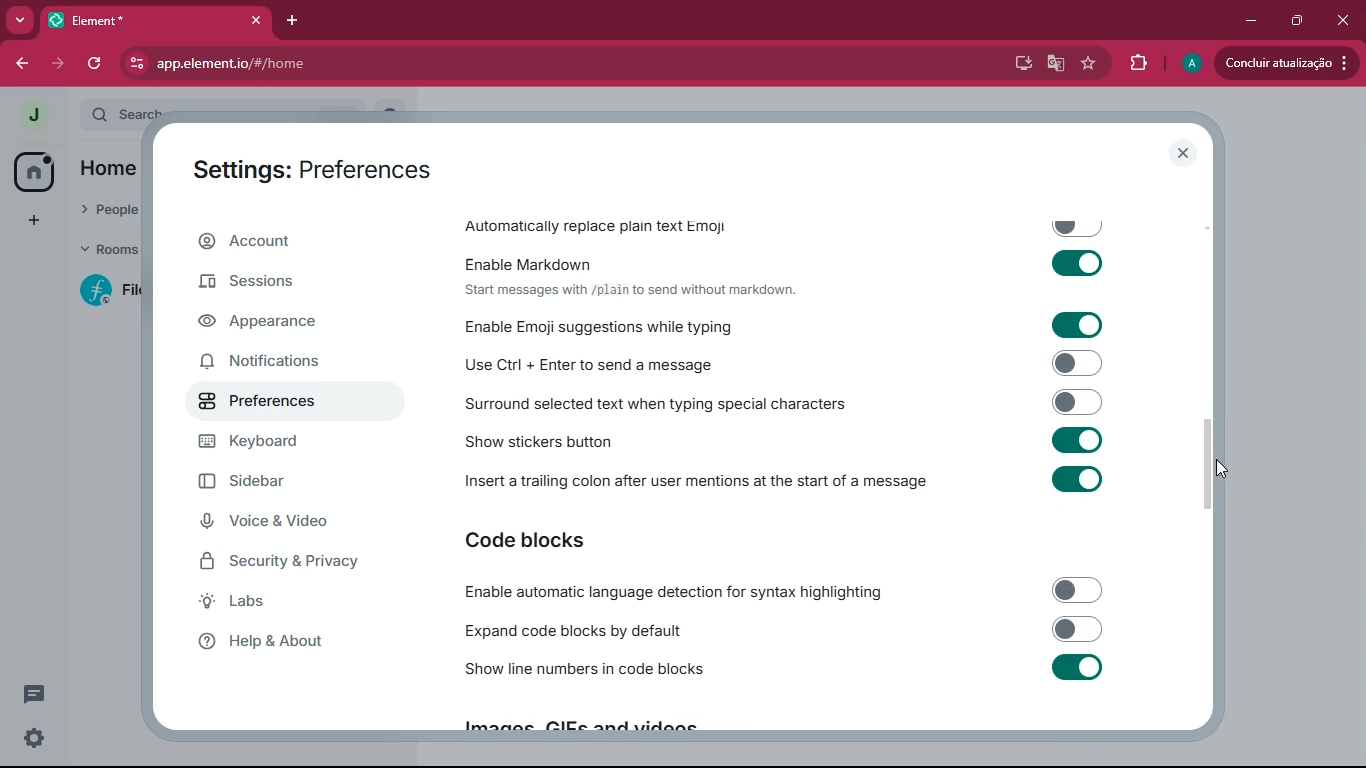 The image size is (1366, 768). I want to click on room, so click(102, 291).